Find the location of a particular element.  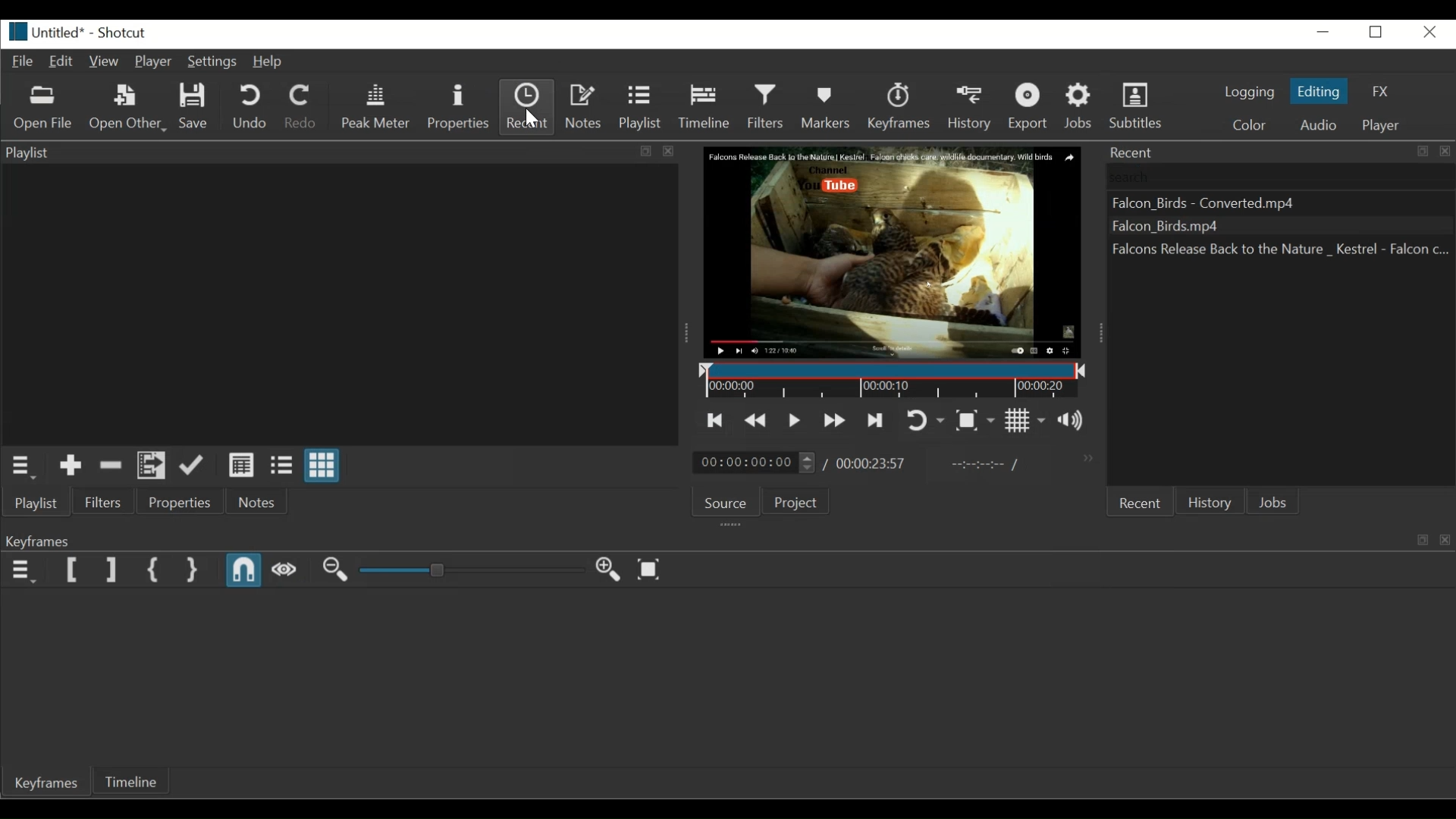

Timeline is located at coordinates (896, 381).